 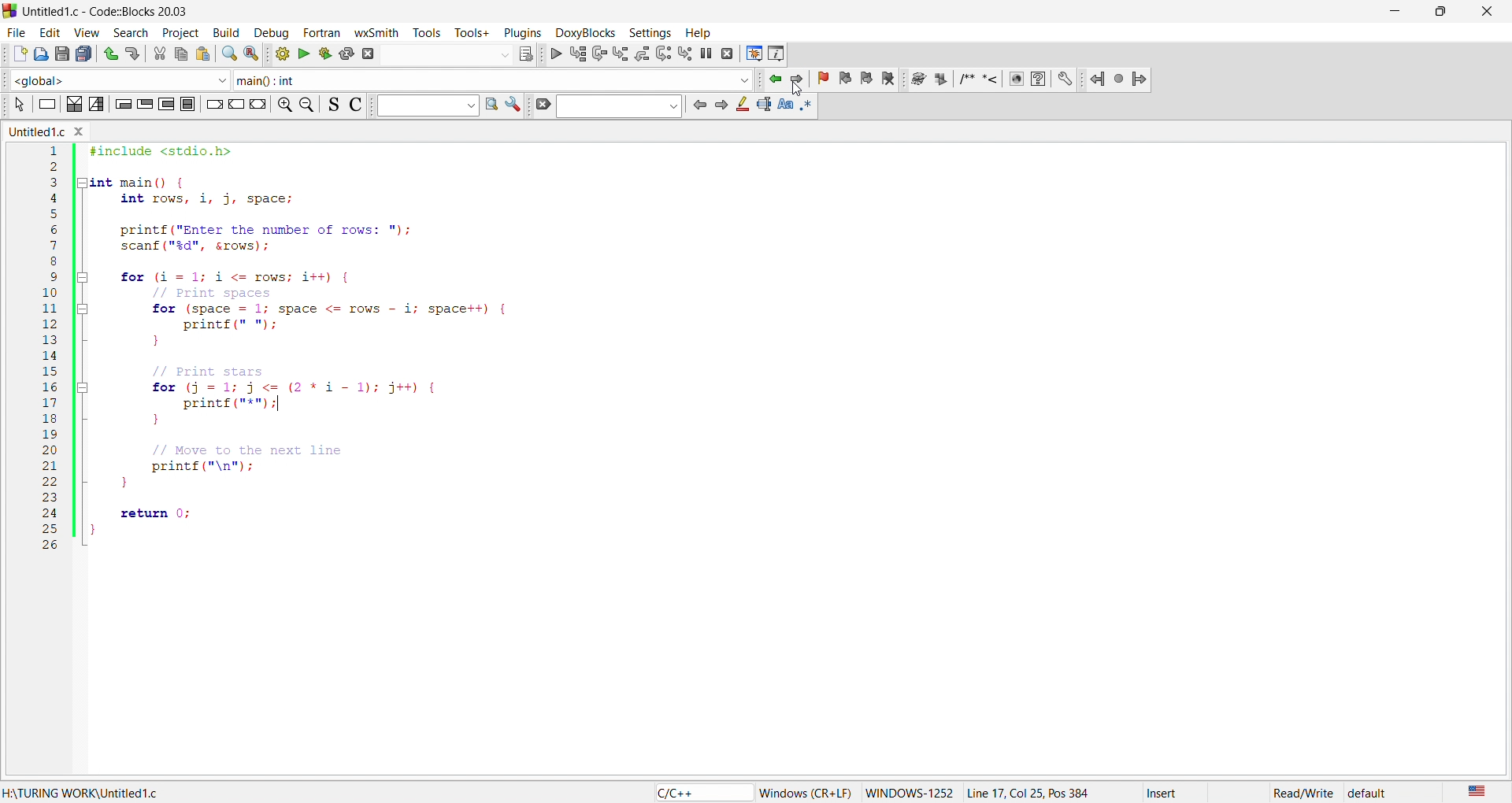 What do you see at coordinates (854, 79) in the screenshot?
I see `bookmark icon` at bounding box center [854, 79].